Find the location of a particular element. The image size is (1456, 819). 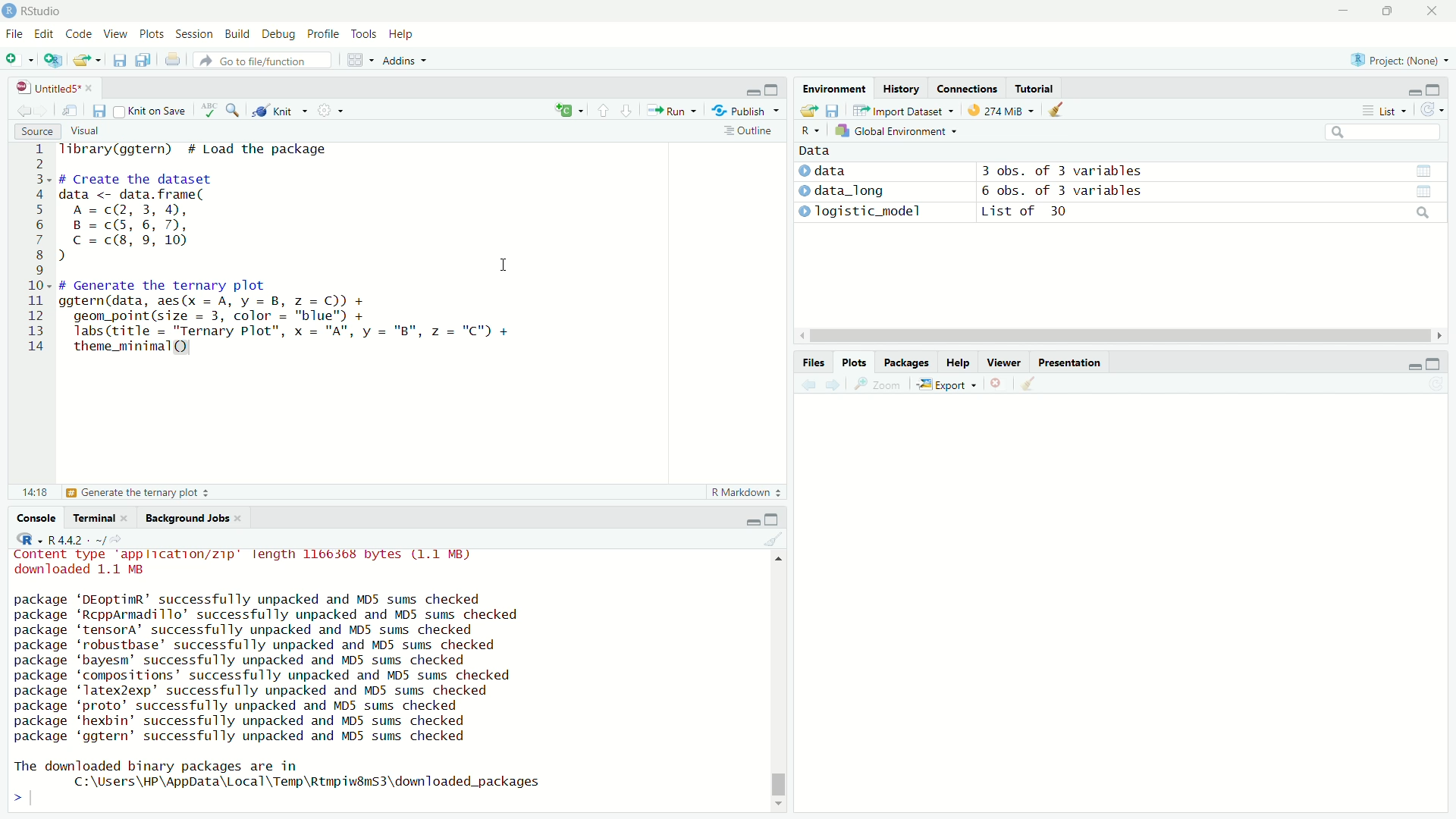

Console is located at coordinates (40, 518).